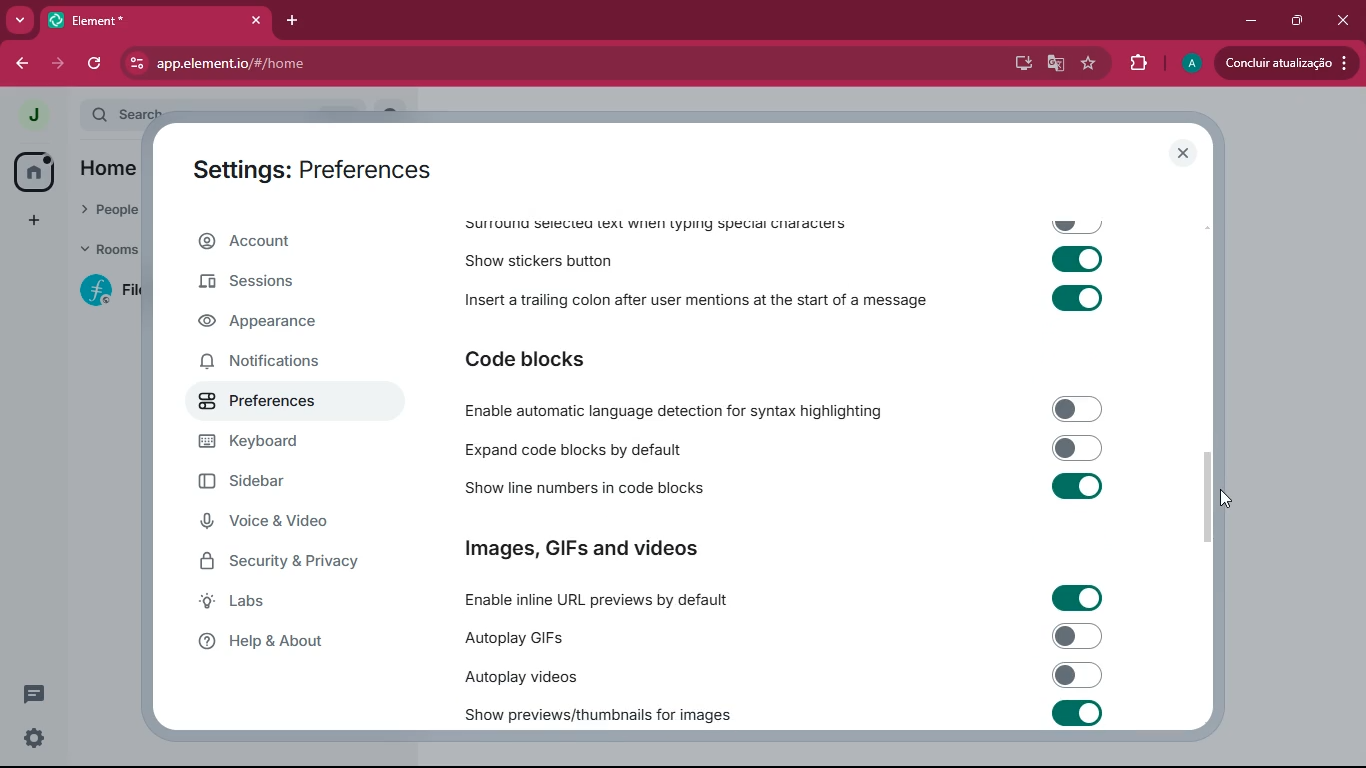 This screenshot has width=1366, height=768. I want to click on Show line numbers in code blocks, so click(781, 488).